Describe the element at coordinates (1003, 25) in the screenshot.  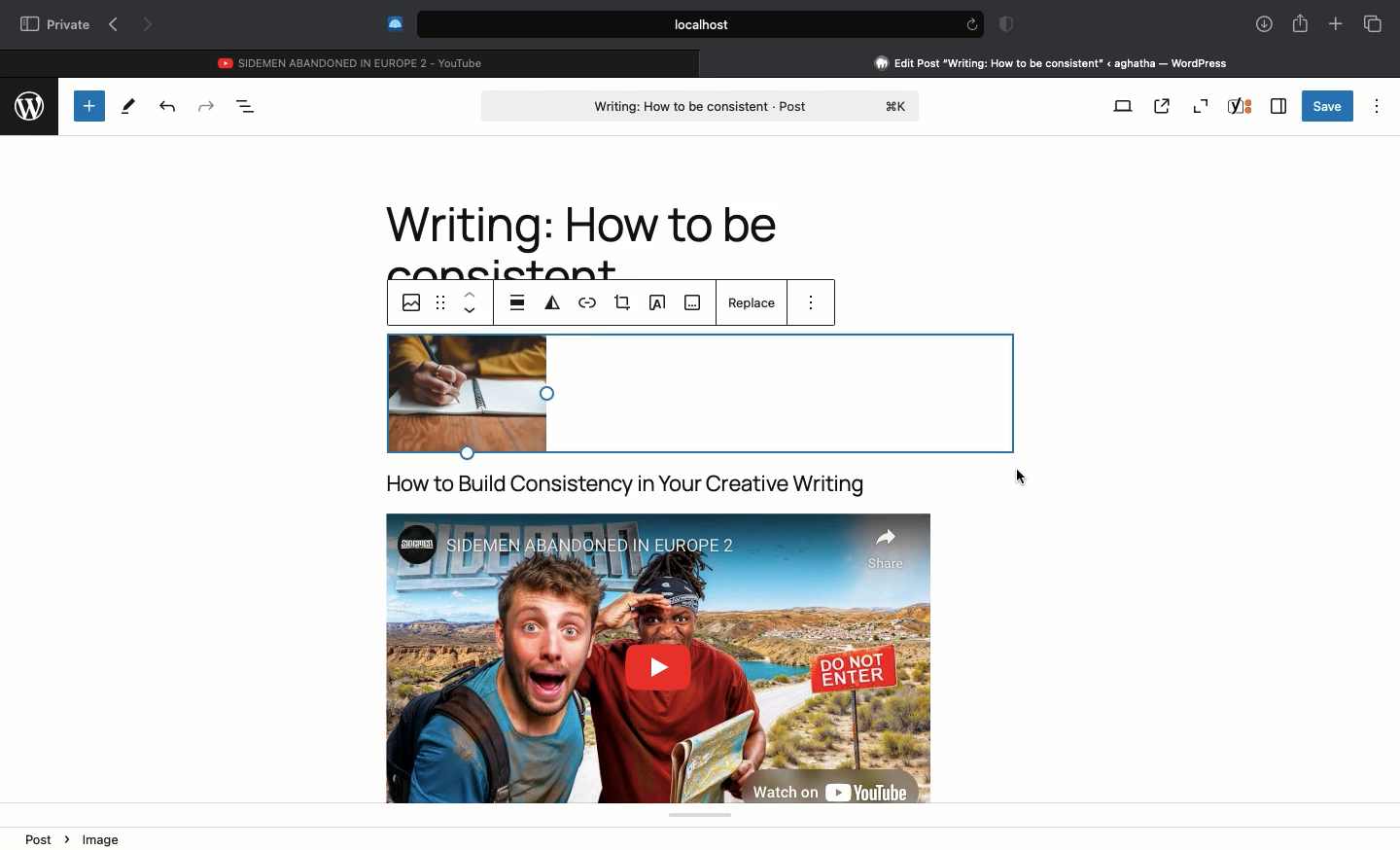
I see `Badge` at that location.